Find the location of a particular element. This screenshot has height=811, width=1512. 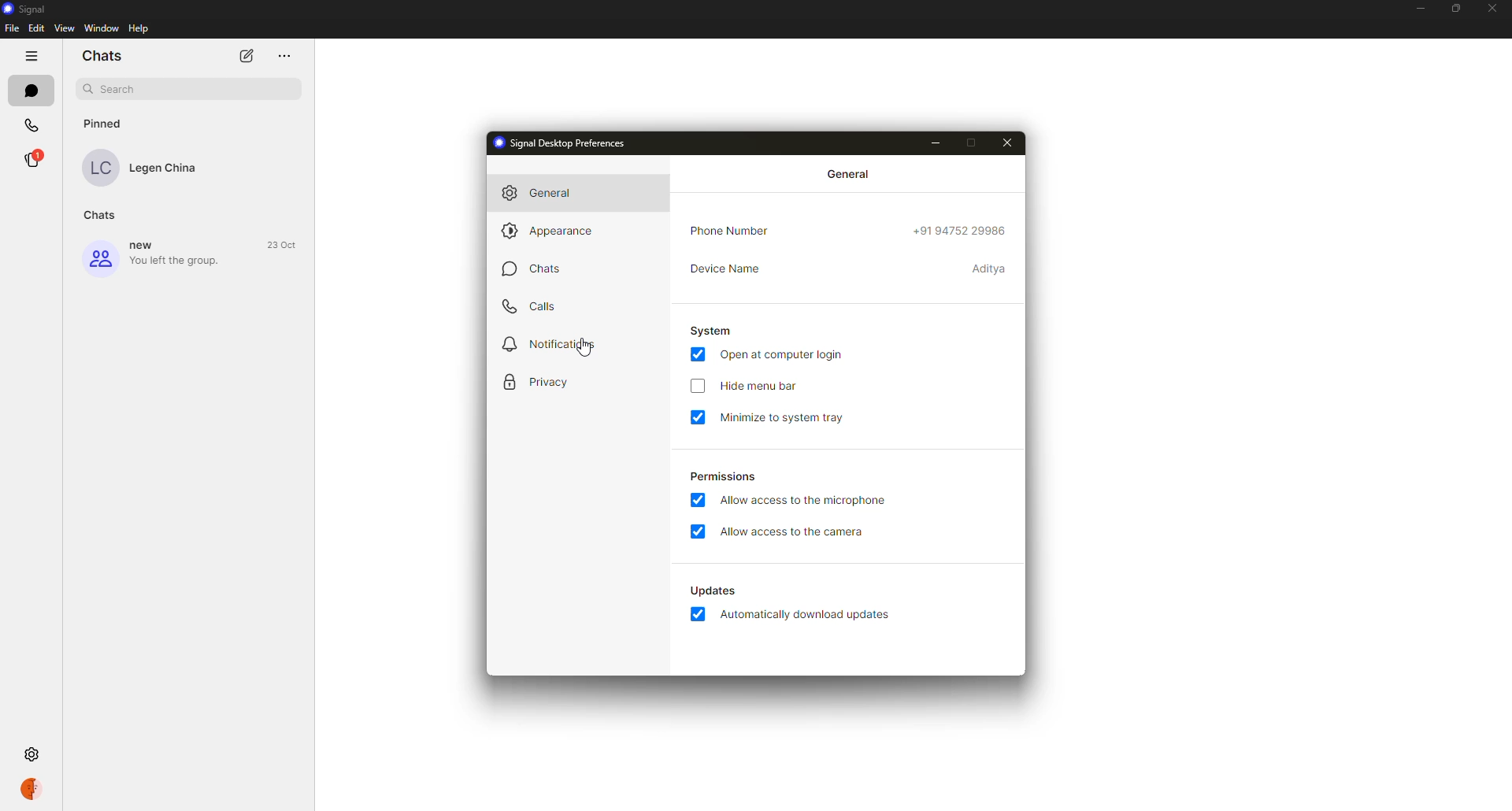

more options is located at coordinates (30, 56).